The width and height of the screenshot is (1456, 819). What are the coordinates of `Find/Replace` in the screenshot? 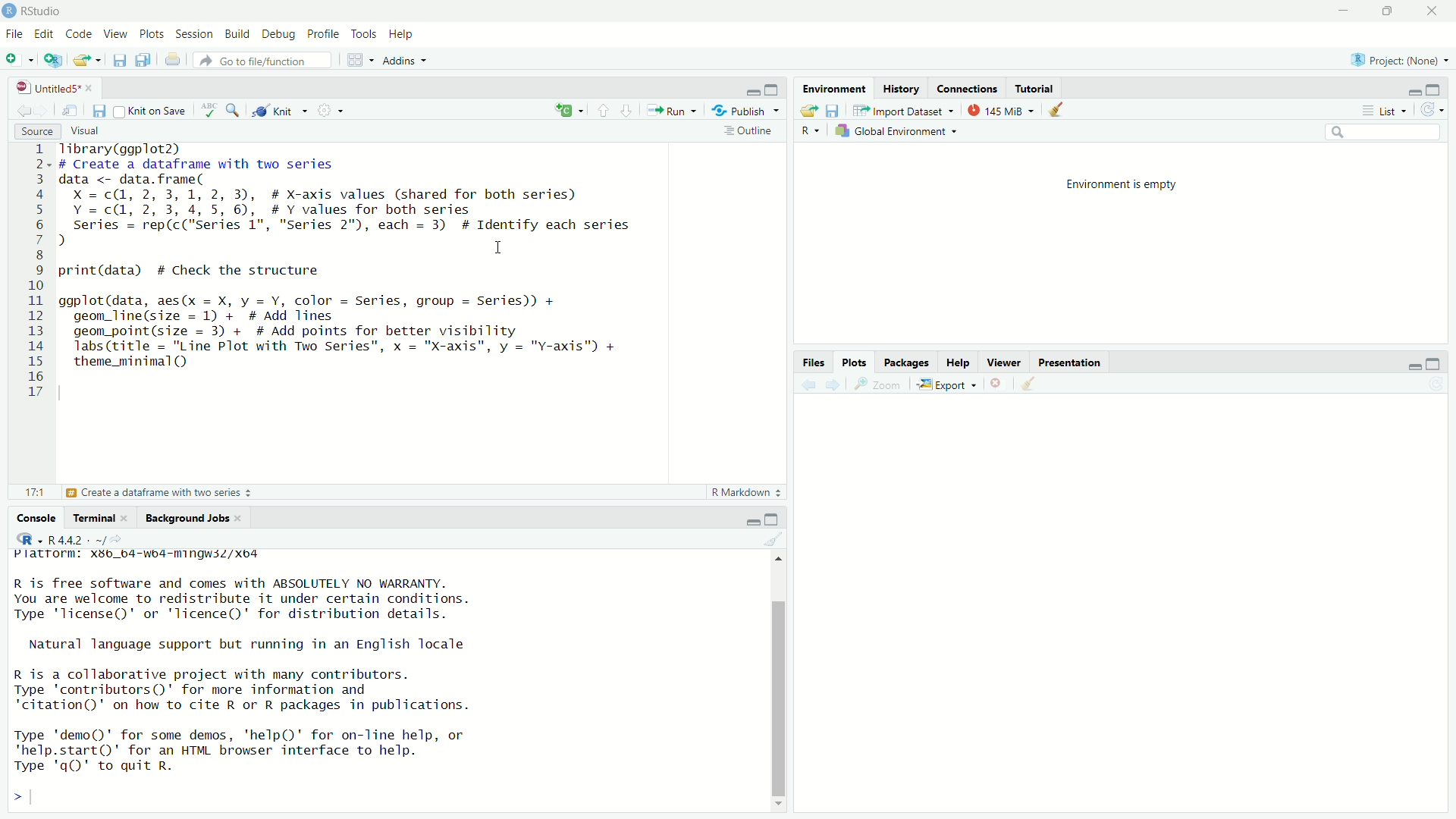 It's located at (233, 111).